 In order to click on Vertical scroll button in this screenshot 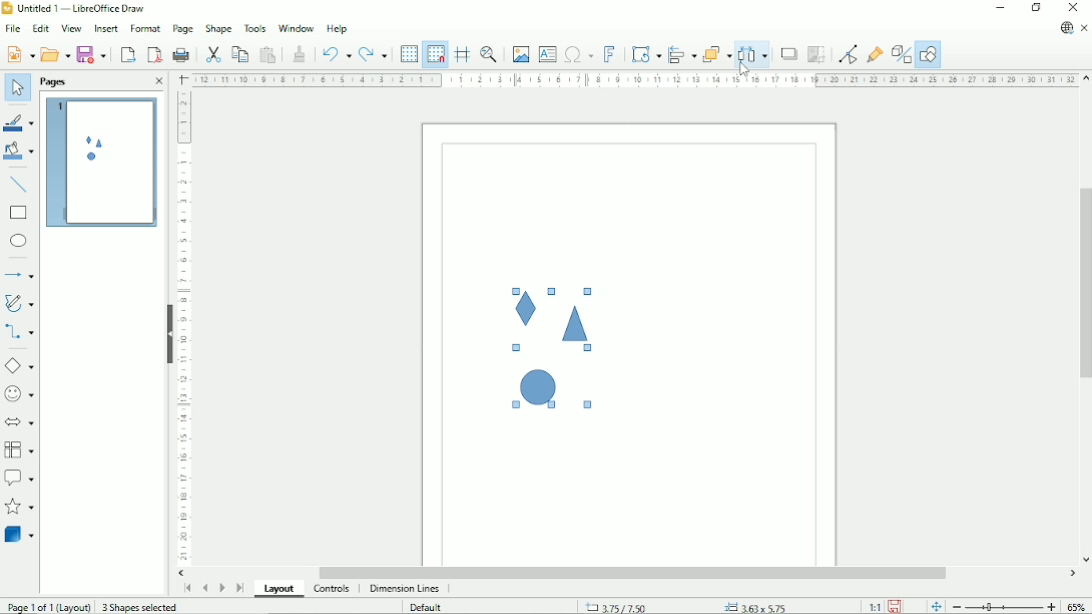, I will do `click(1085, 560)`.